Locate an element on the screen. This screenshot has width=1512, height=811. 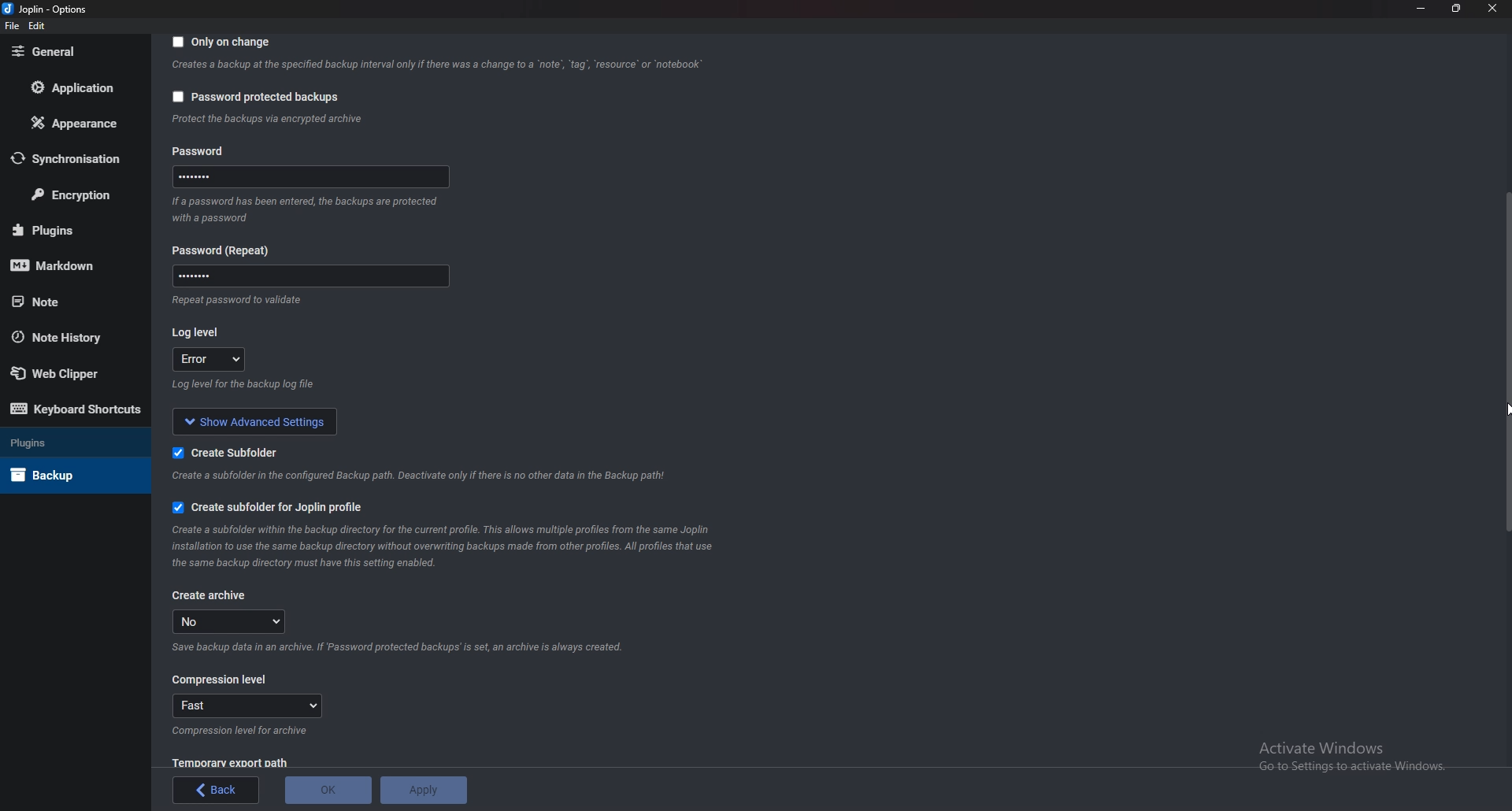
Encryption is located at coordinates (73, 194).